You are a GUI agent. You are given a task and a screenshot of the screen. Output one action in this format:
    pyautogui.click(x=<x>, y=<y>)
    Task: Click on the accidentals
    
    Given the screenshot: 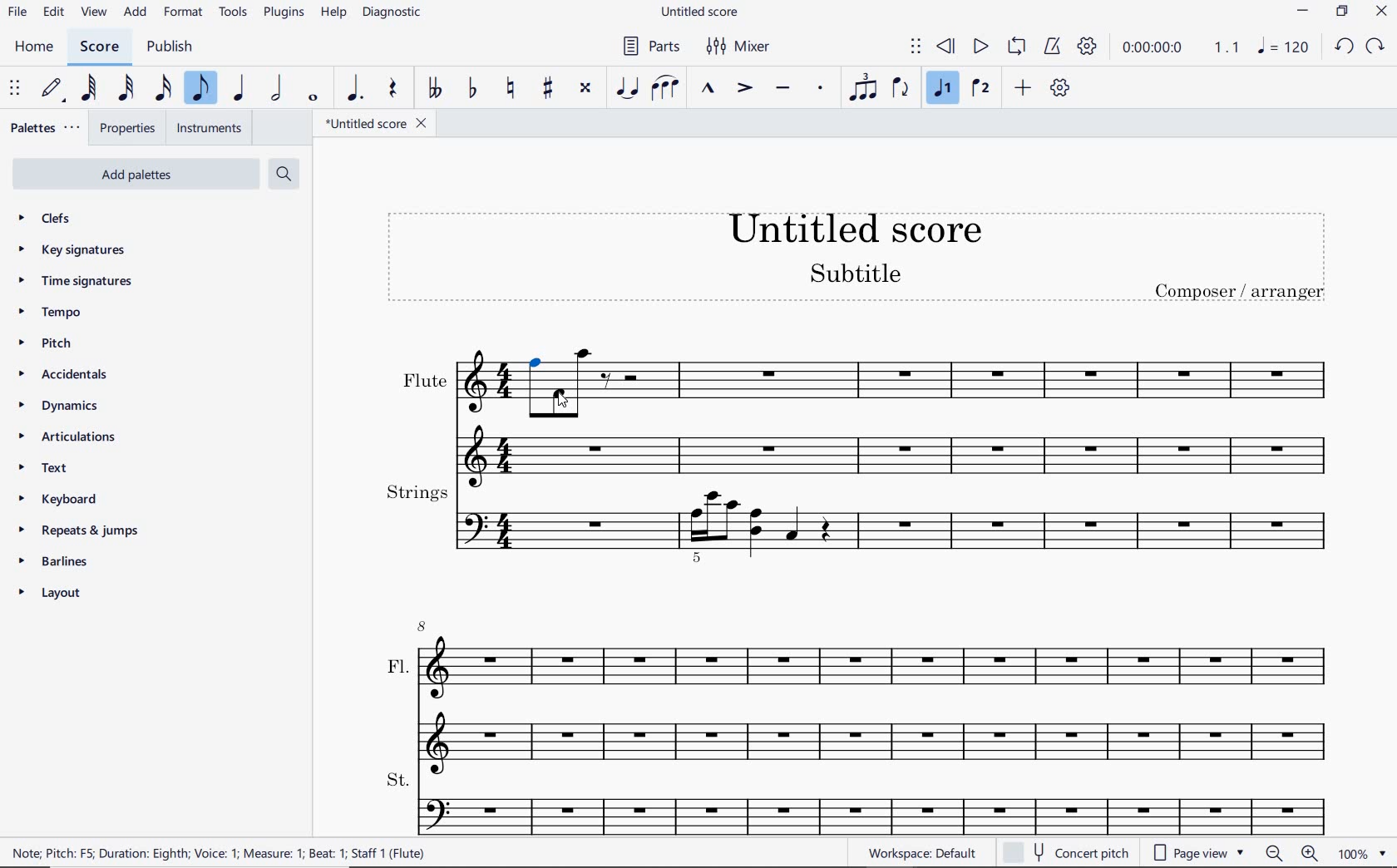 What is the action you would take?
    pyautogui.click(x=62, y=376)
    